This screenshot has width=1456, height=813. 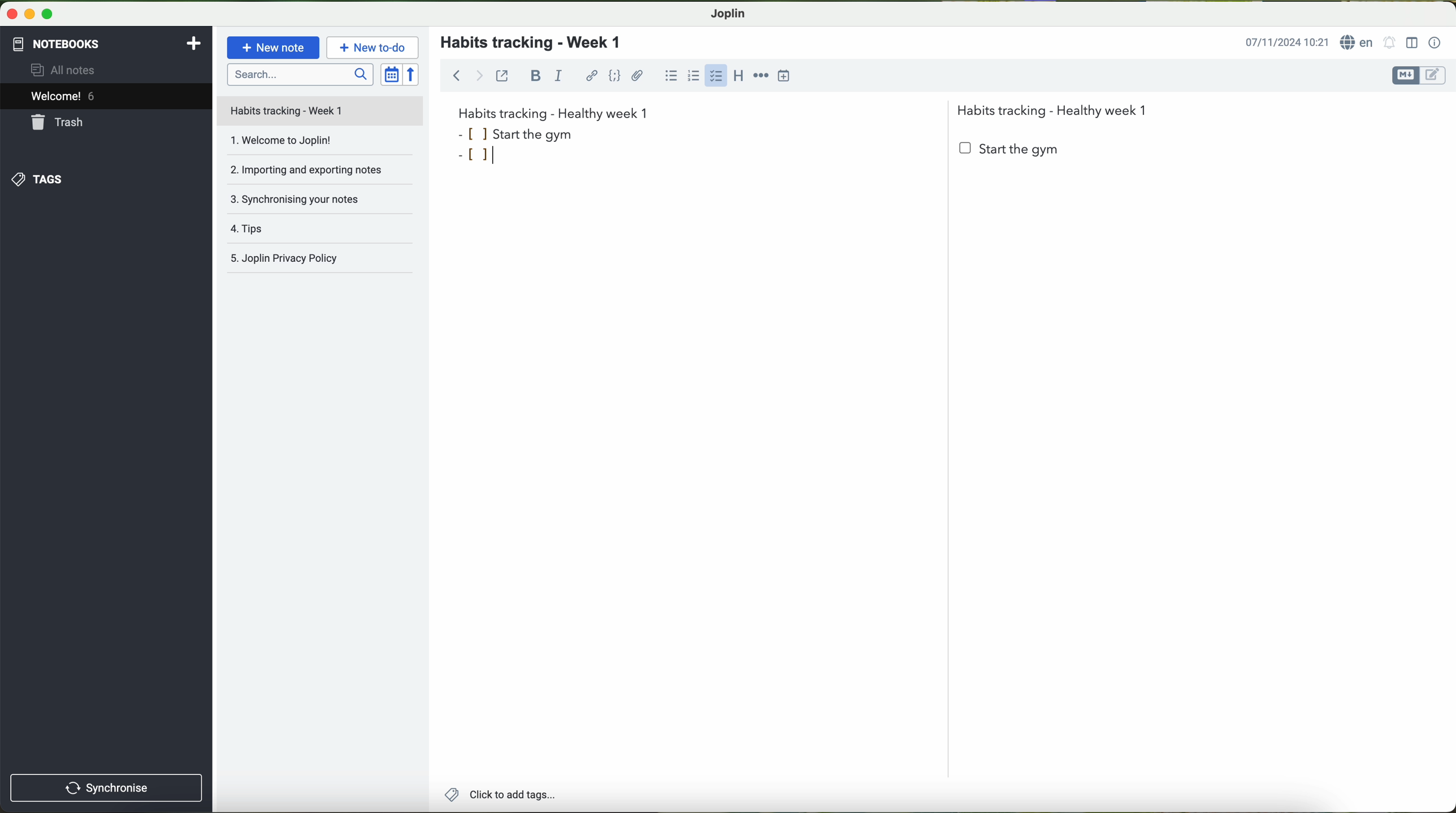 What do you see at coordinates (59, 122) in the screenshot?
I see `trash` at bounding box center [59, 122].